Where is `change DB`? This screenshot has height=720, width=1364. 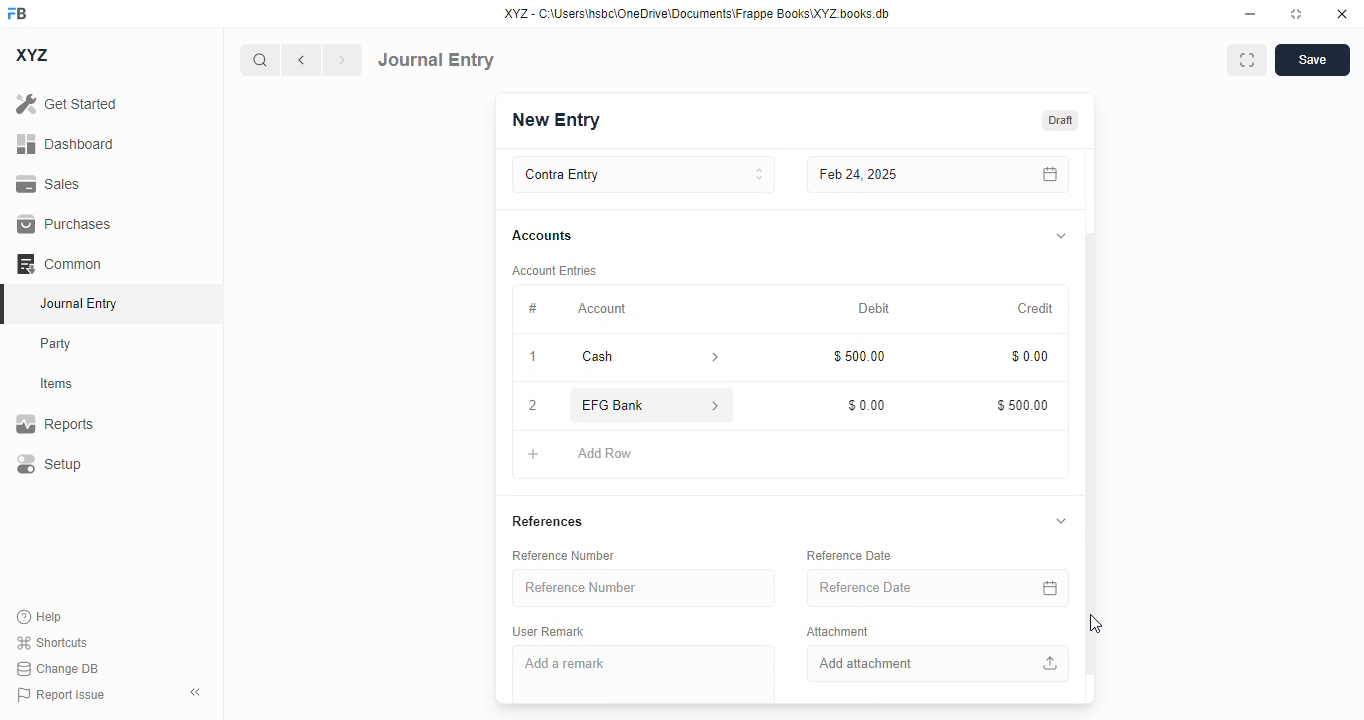
change DB is located at coordinates (57, 668).